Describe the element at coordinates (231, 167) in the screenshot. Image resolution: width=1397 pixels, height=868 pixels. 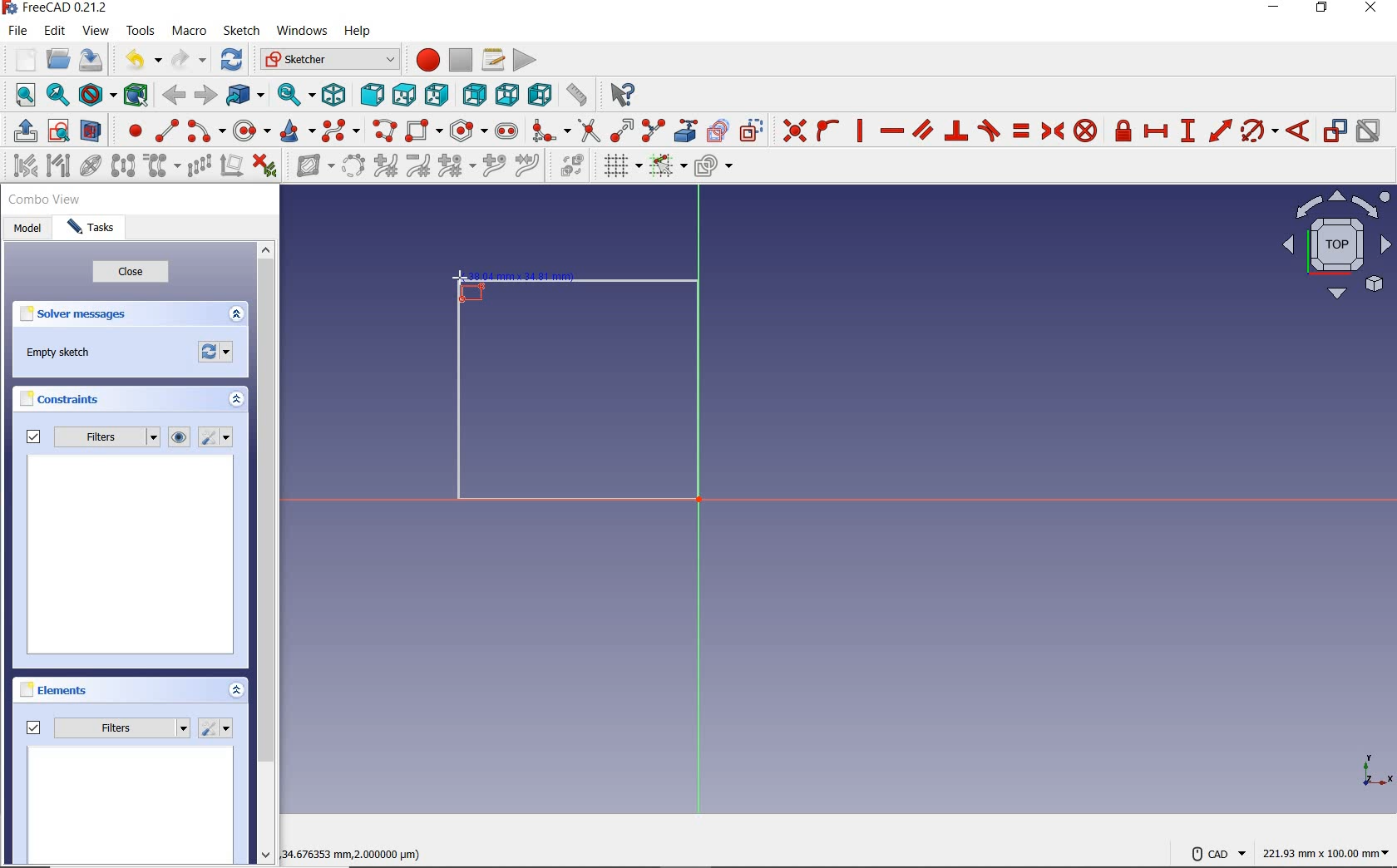
I see `remove axes alignment` at that location.